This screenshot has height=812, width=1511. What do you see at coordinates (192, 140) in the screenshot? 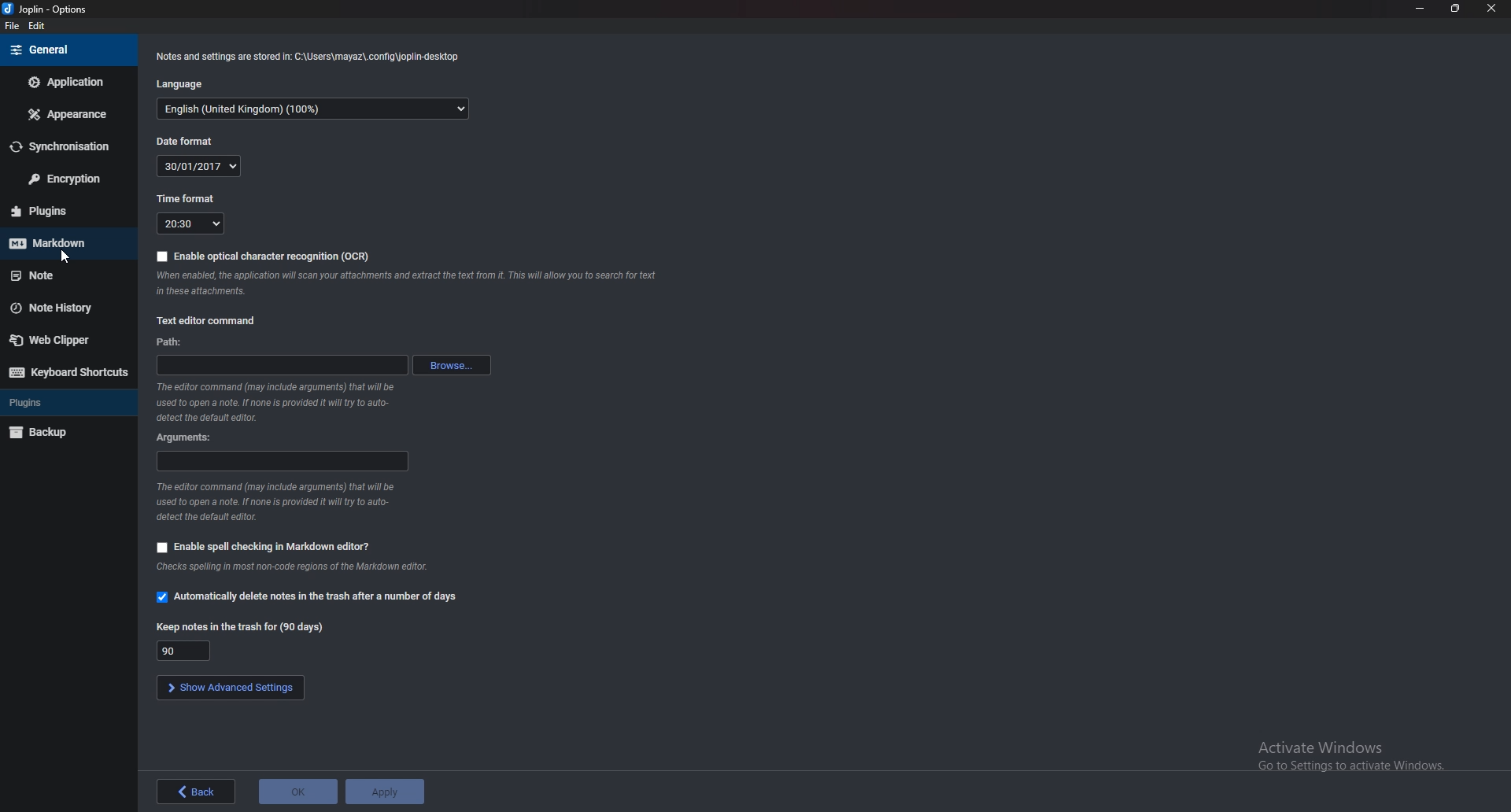
I see `date format` at bounding box center [192, 140].